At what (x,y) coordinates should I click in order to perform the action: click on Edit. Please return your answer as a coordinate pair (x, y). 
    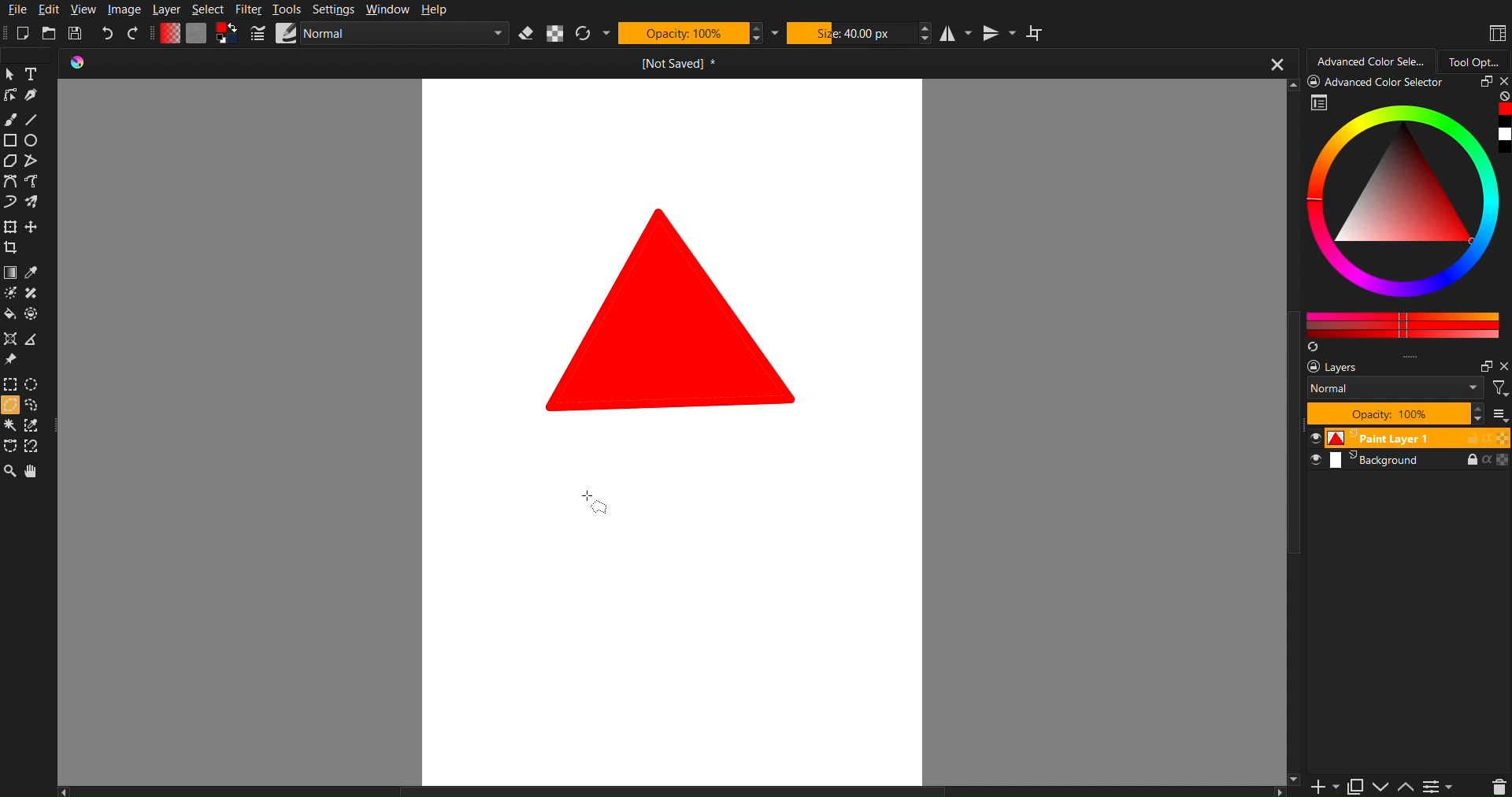
    Looking at the image, I should click on (49, 9).